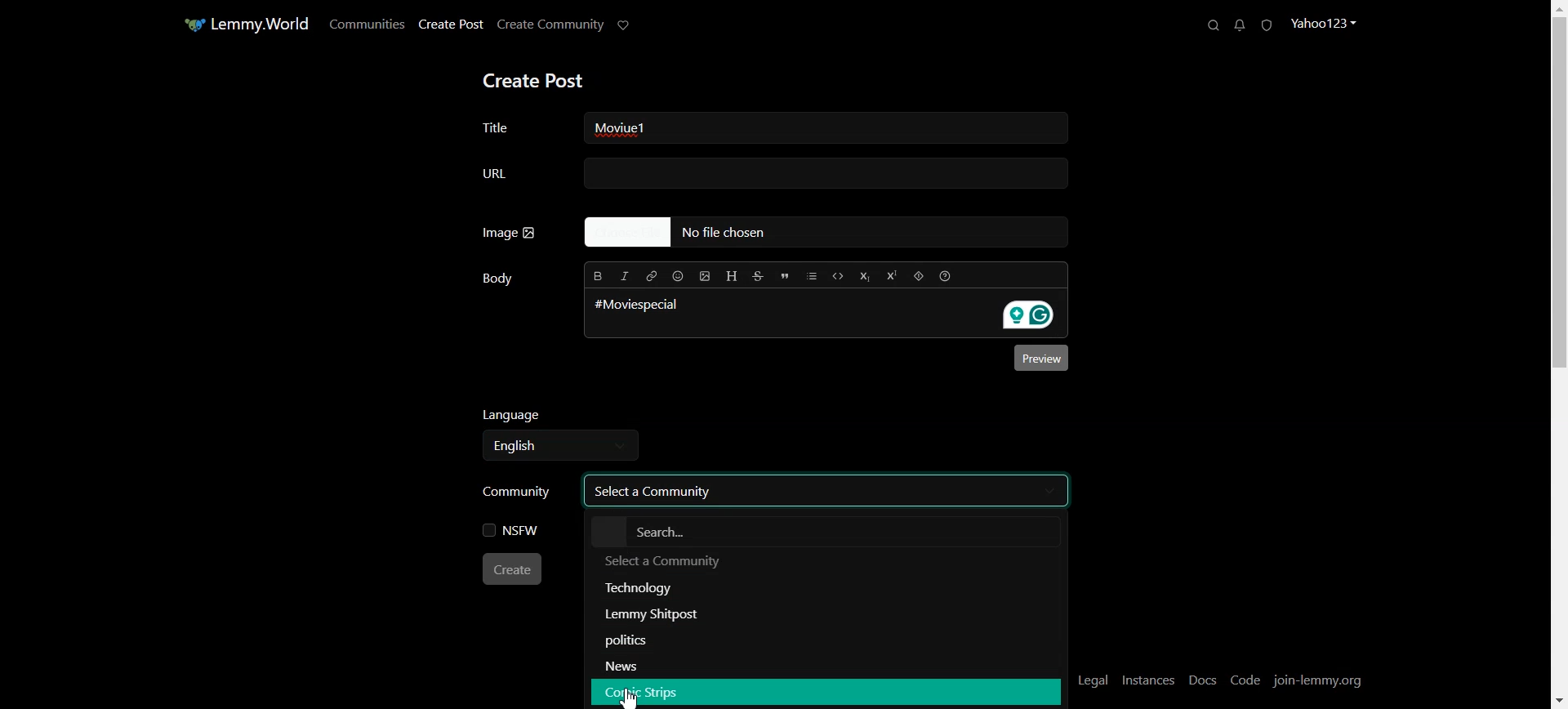 Image resolution: width=1568 pixels, height=709 pixels. What do you see at coordinates (367, 25) in the screenshot?
I see `Communities` at bounding box center [367, 25].